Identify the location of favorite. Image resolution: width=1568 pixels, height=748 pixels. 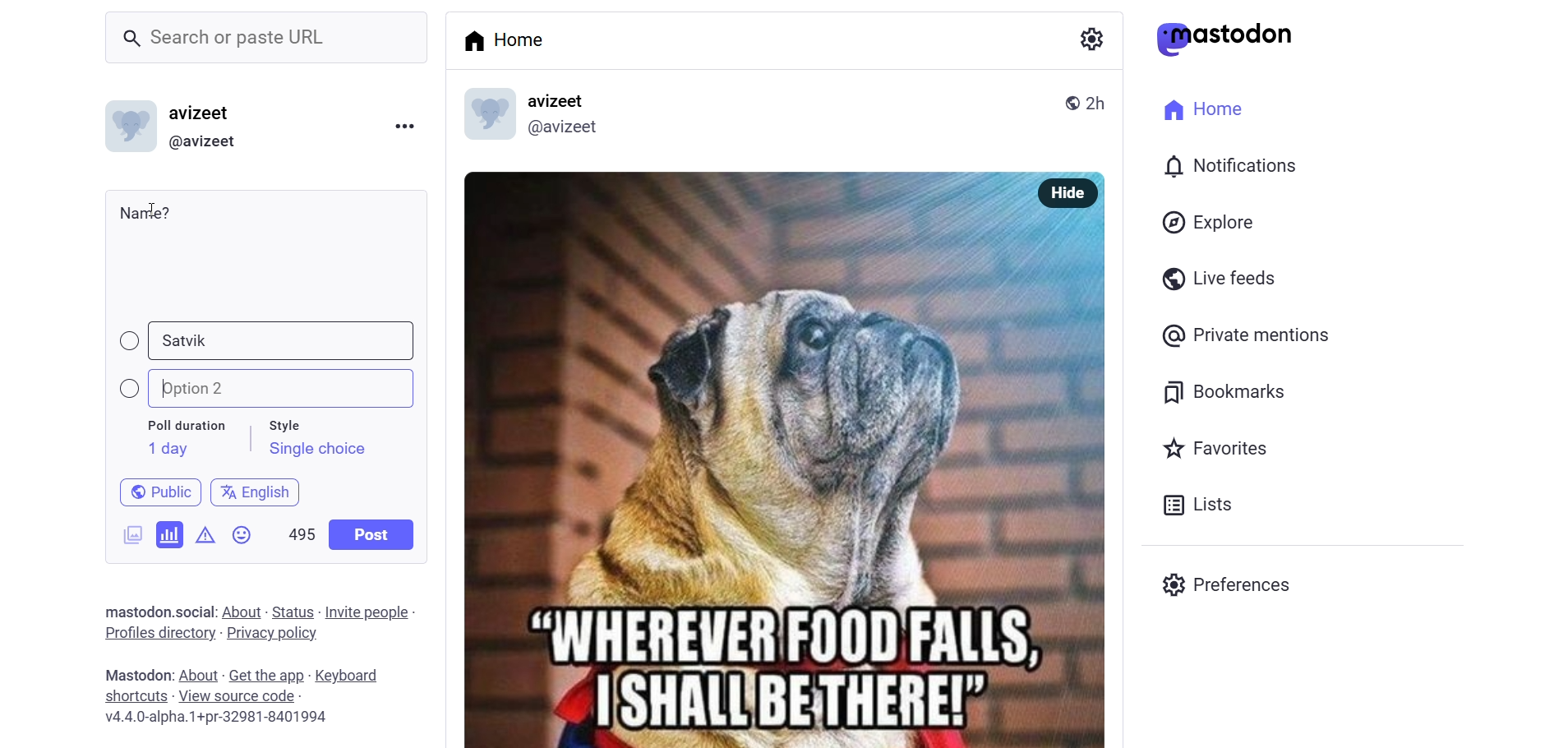
(1213, 450).